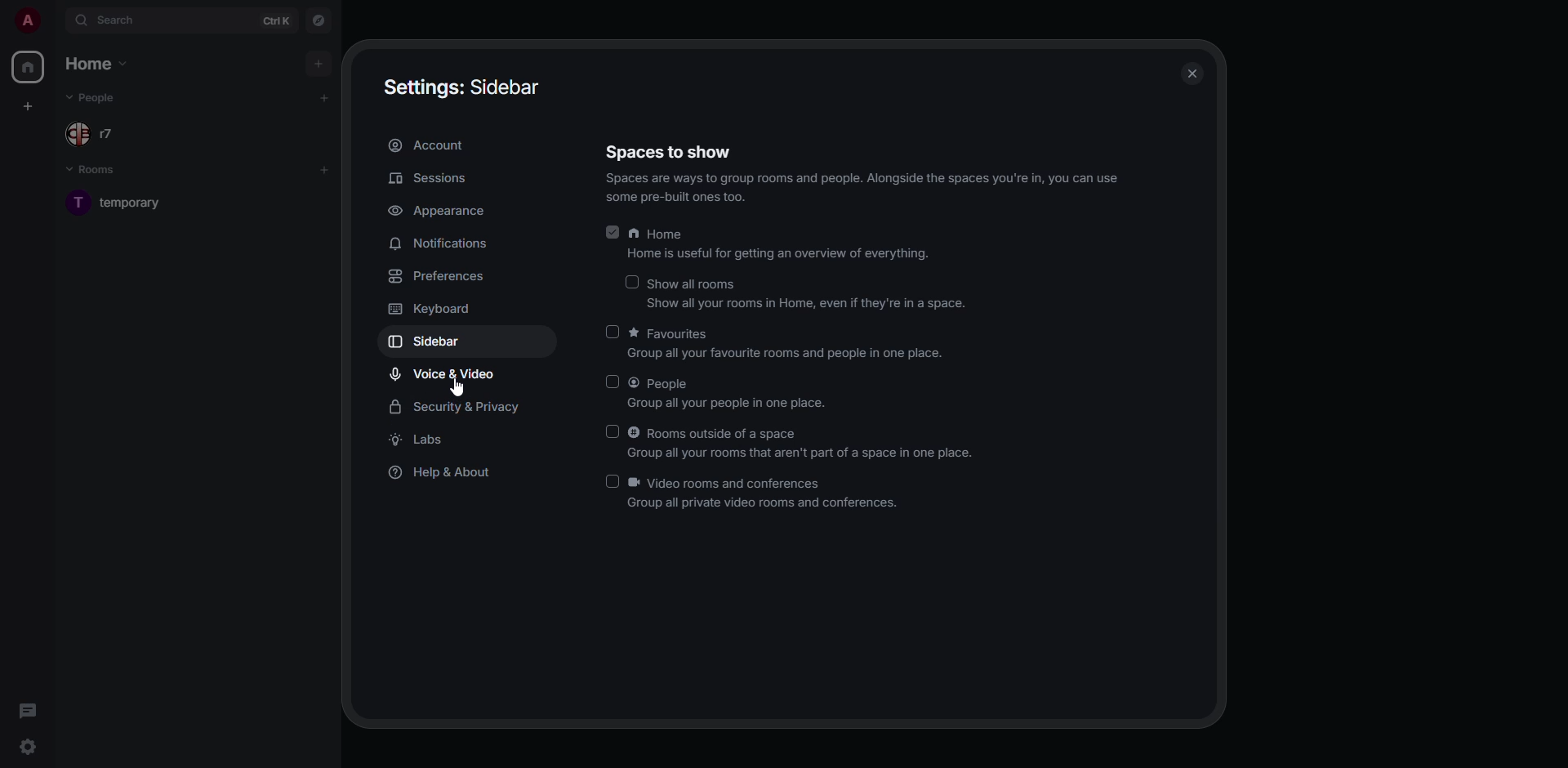 The width and height of the screenshot is (1568, 768). I want to click on home, so click(777, 242).